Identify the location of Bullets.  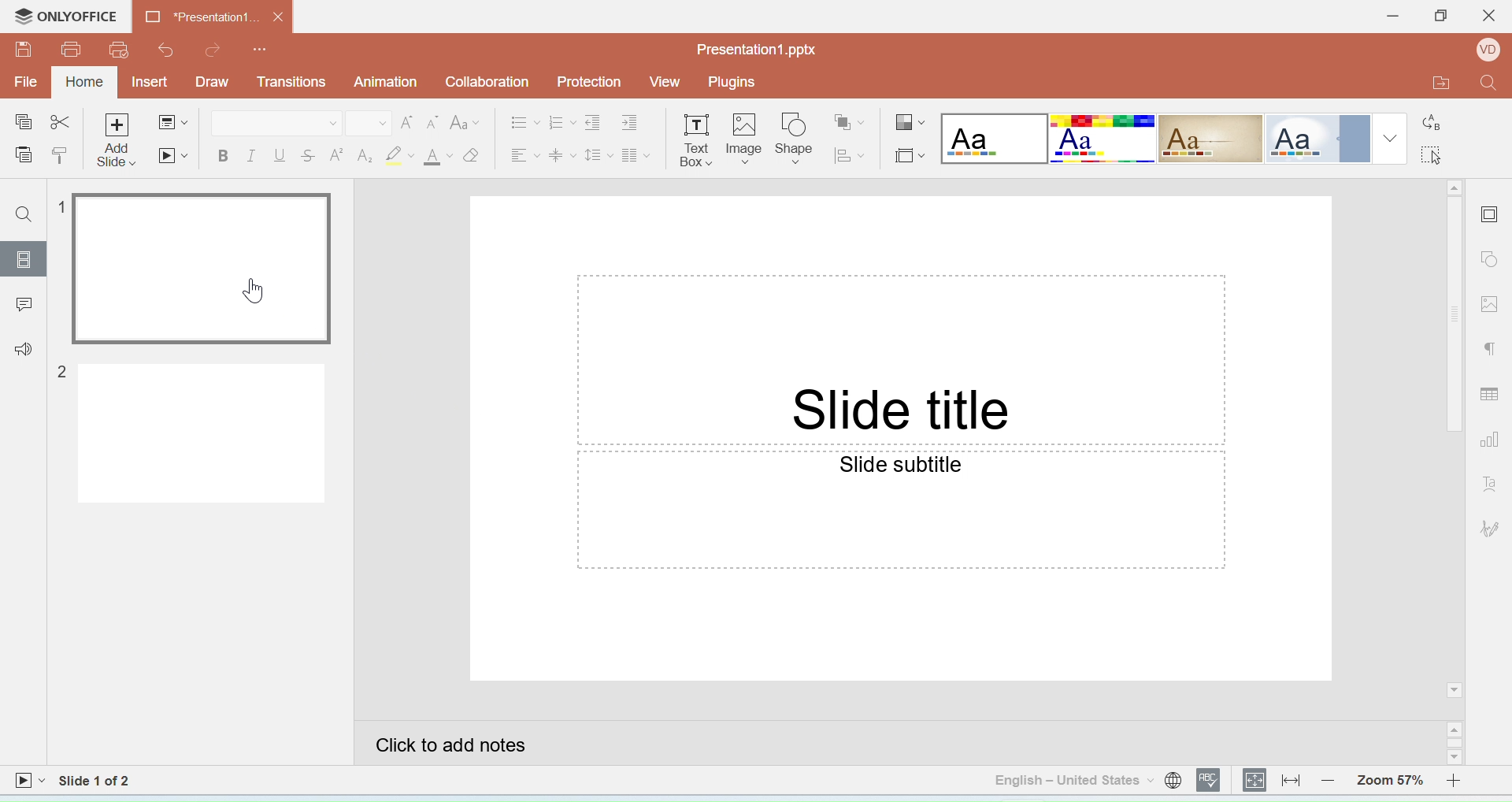
(526, 121).